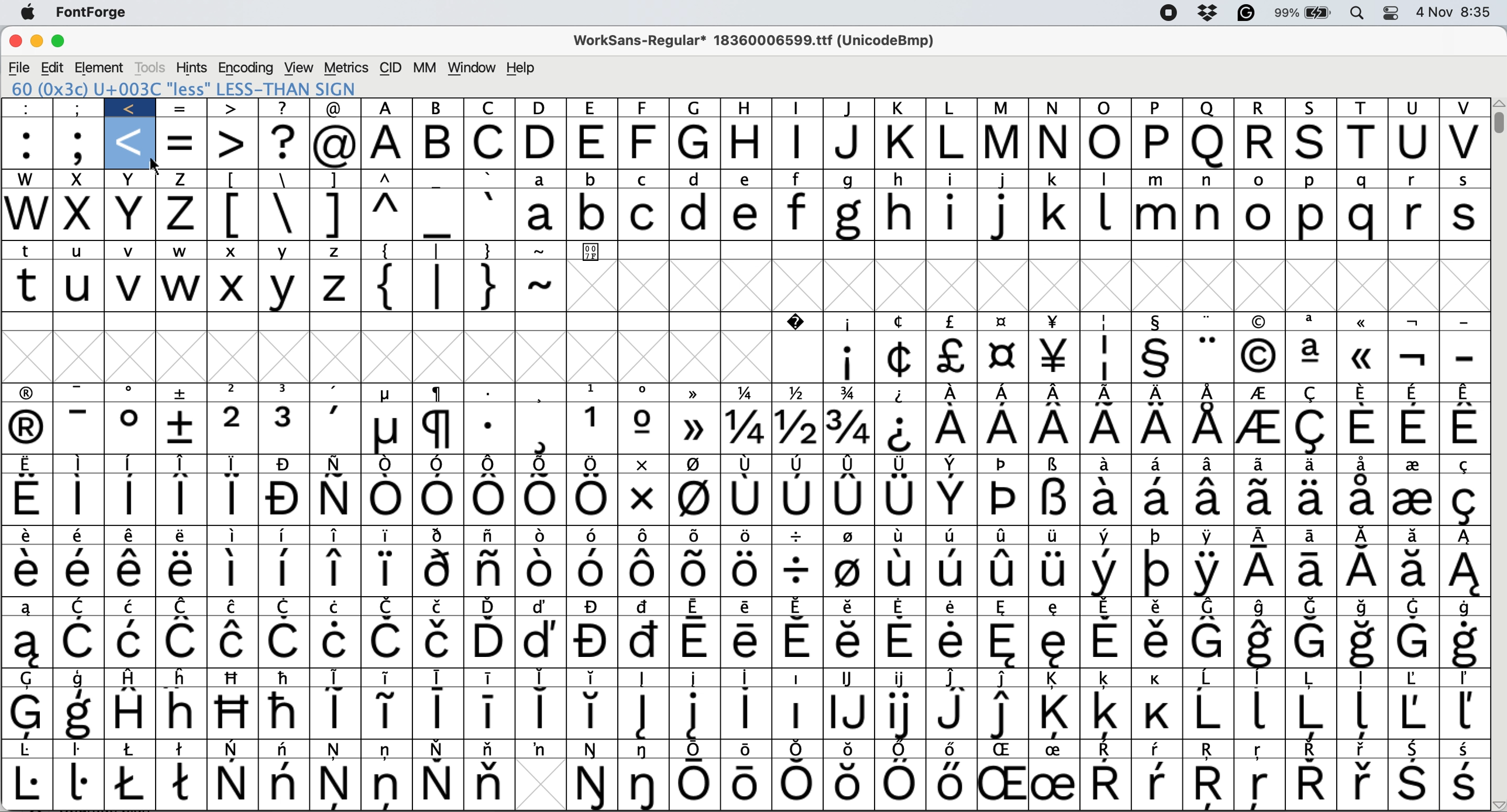 This screenshot has width=1507, height=812. What do you see at coordinates (439, 429) in the screenshot?
I see `Symbol` at bounding box center [439, 429].